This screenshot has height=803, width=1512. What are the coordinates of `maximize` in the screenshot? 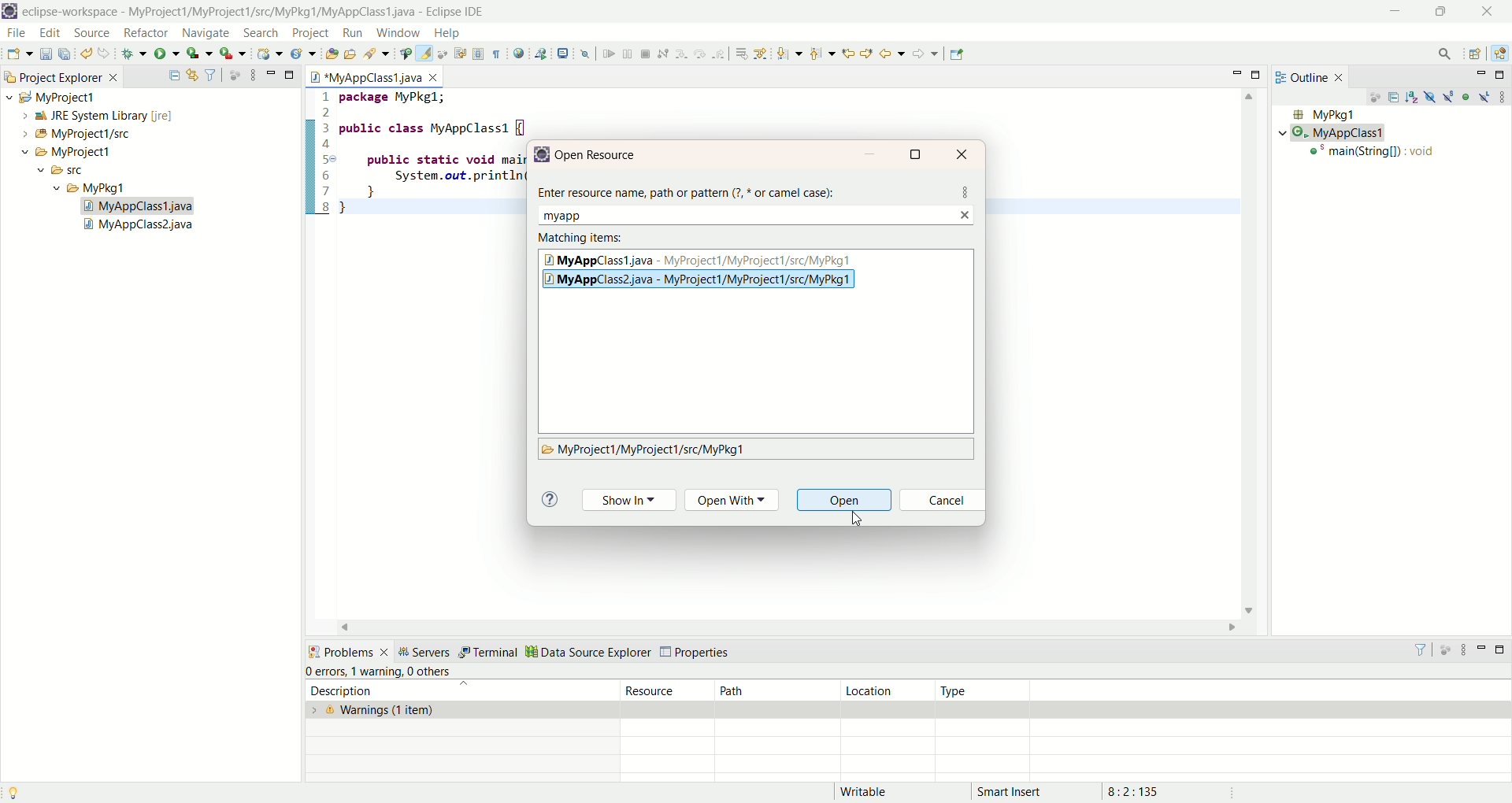 It's located at (1259, 74).